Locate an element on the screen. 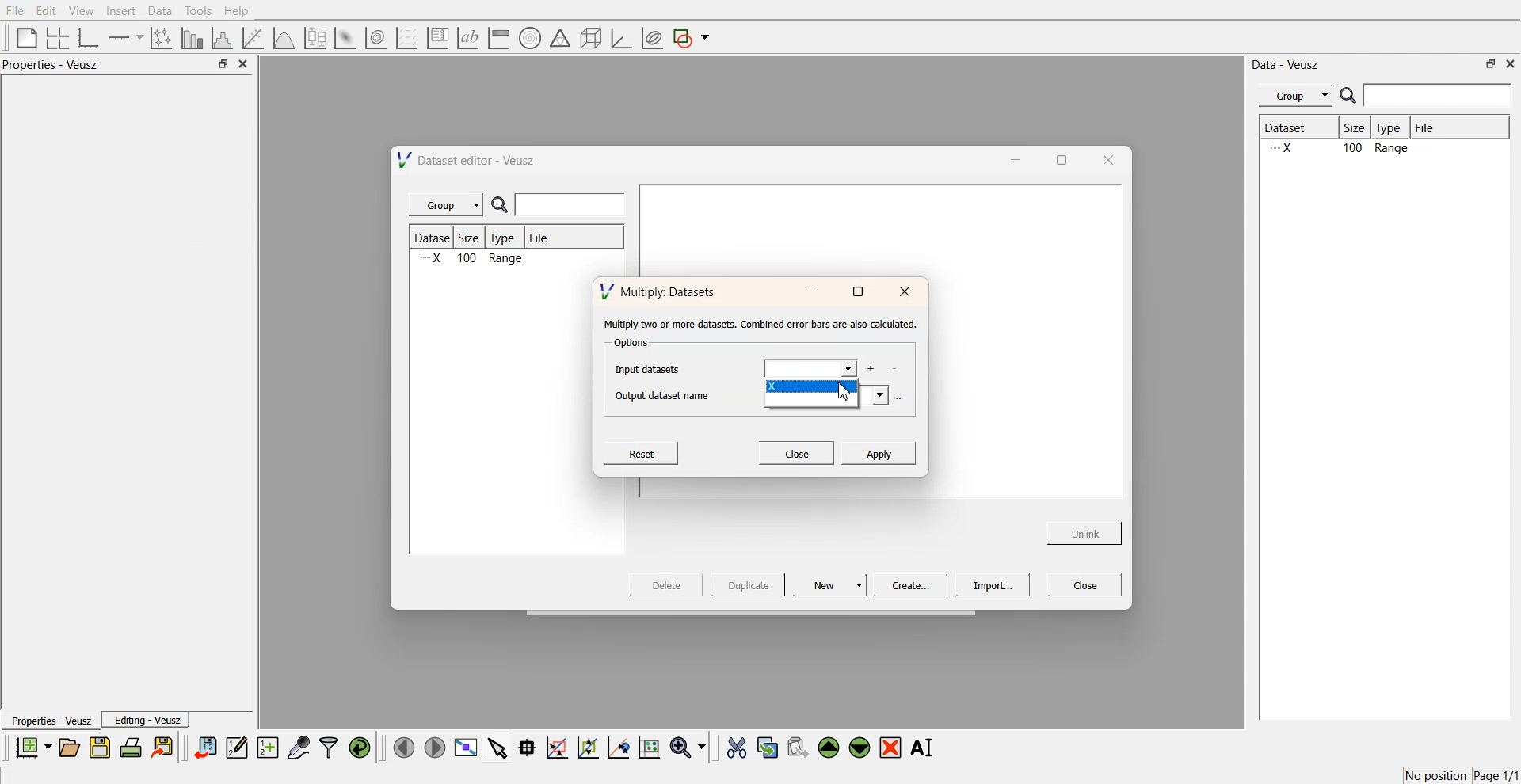 The width and height of the screenshot is (1521, 784). File is located at coordinates (16, 11).